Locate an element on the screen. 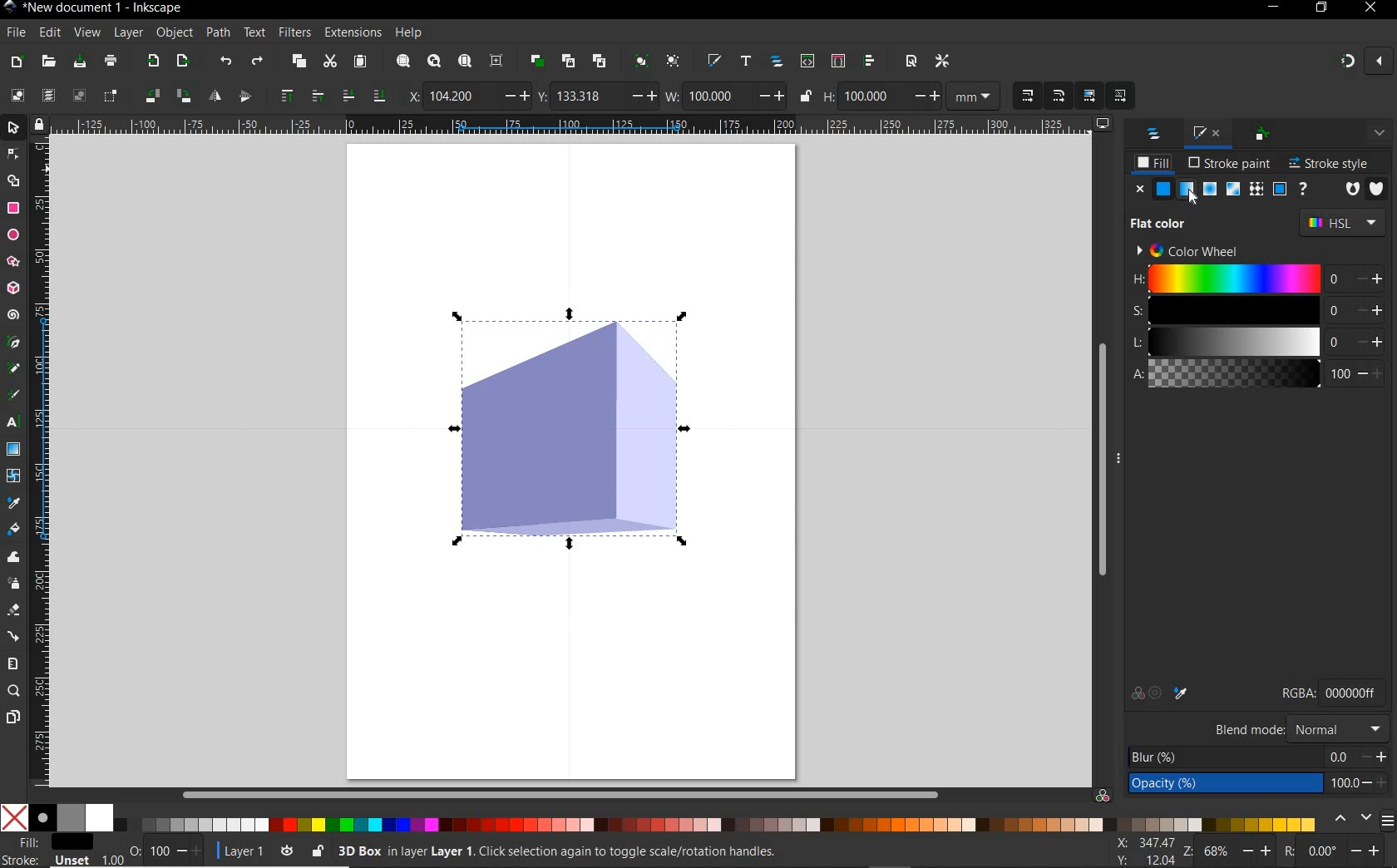 Image resolution: width=1397 pixels, height=868 pixels. LOCK/UNLOCK is located at coordinates (807, 96).